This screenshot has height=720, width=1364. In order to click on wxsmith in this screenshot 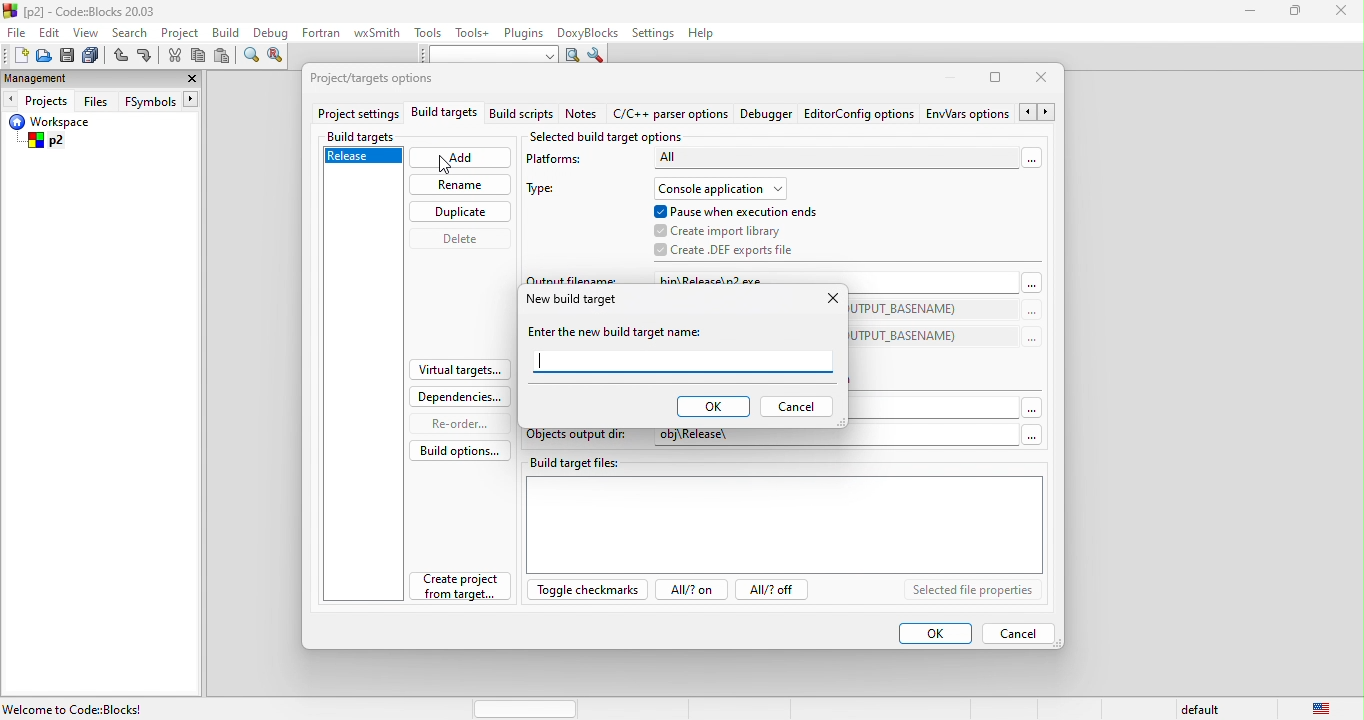, I will do `click(377, 33)`.